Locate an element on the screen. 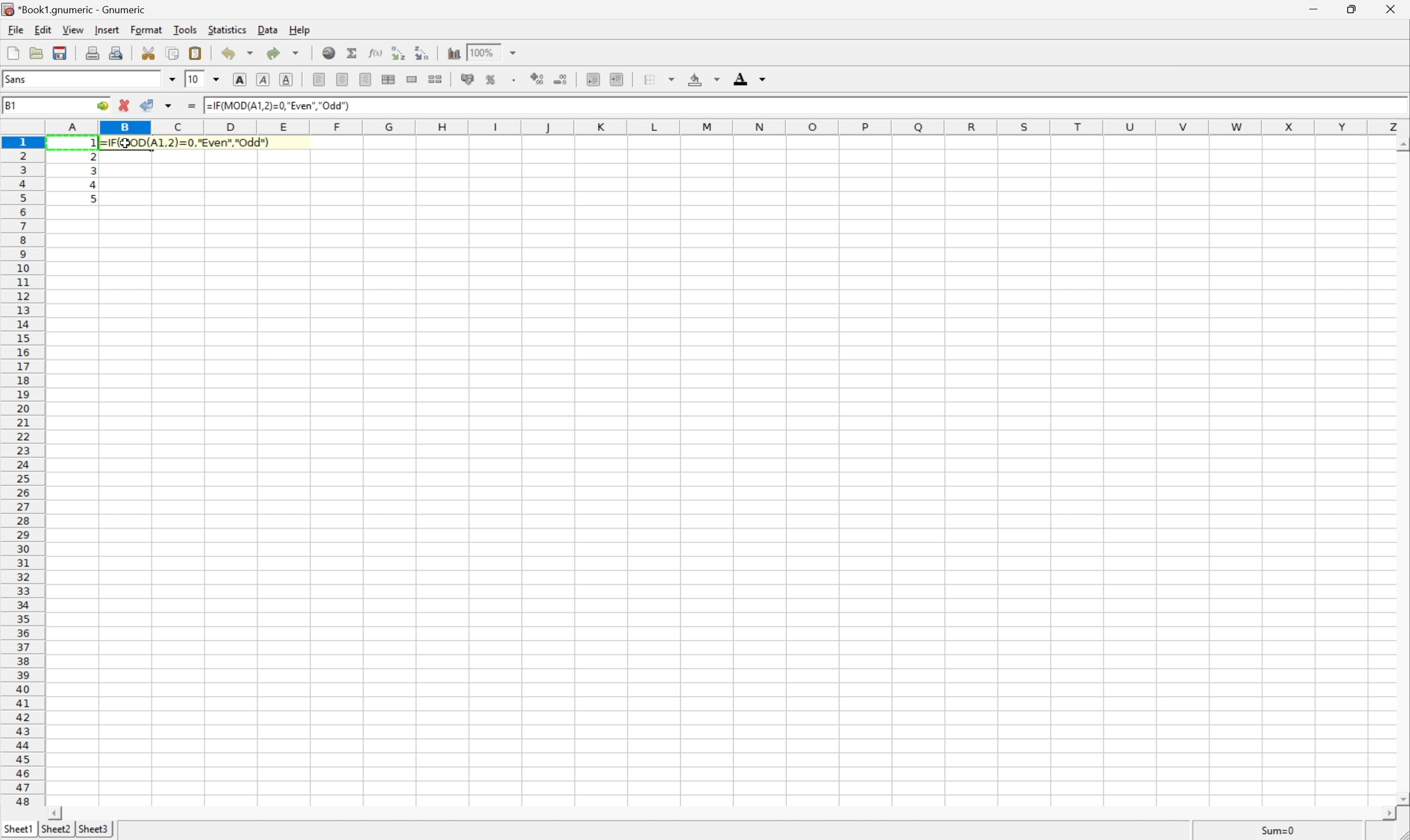 This screenshot has height=840, width=1410. Statistics is located at coordinates (227, 29).